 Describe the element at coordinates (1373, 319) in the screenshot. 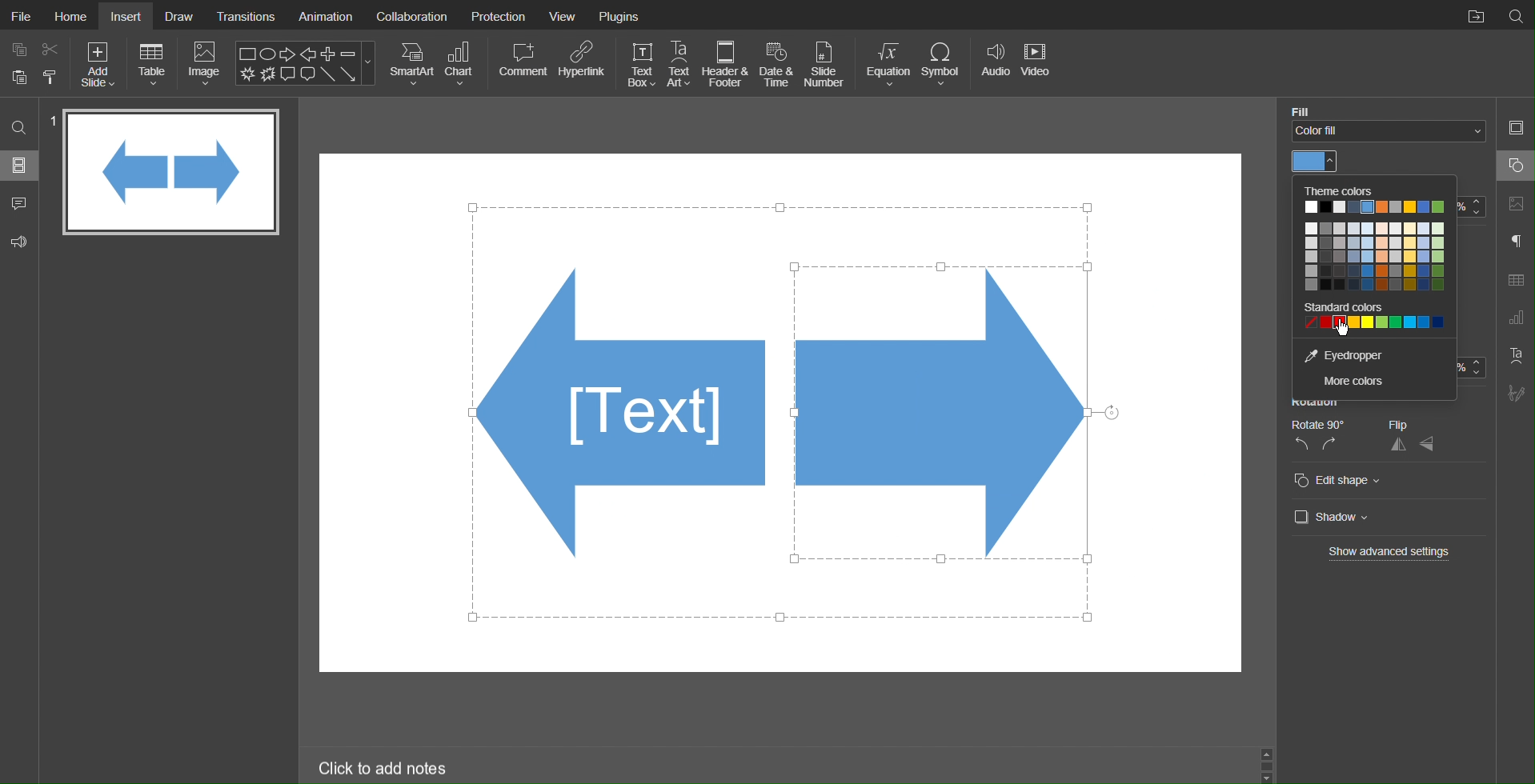

I see `Standard colors` at that location.